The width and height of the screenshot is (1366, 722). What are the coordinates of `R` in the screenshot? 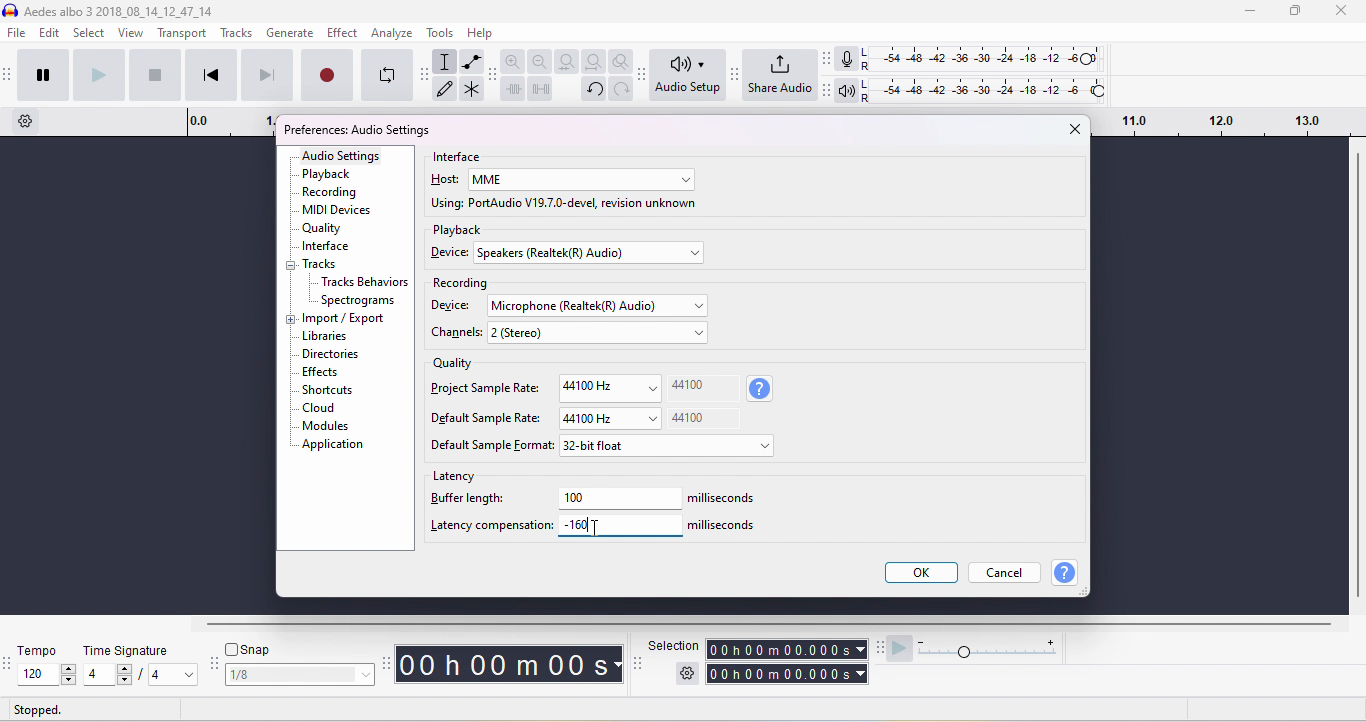 It's located at (867, 68).